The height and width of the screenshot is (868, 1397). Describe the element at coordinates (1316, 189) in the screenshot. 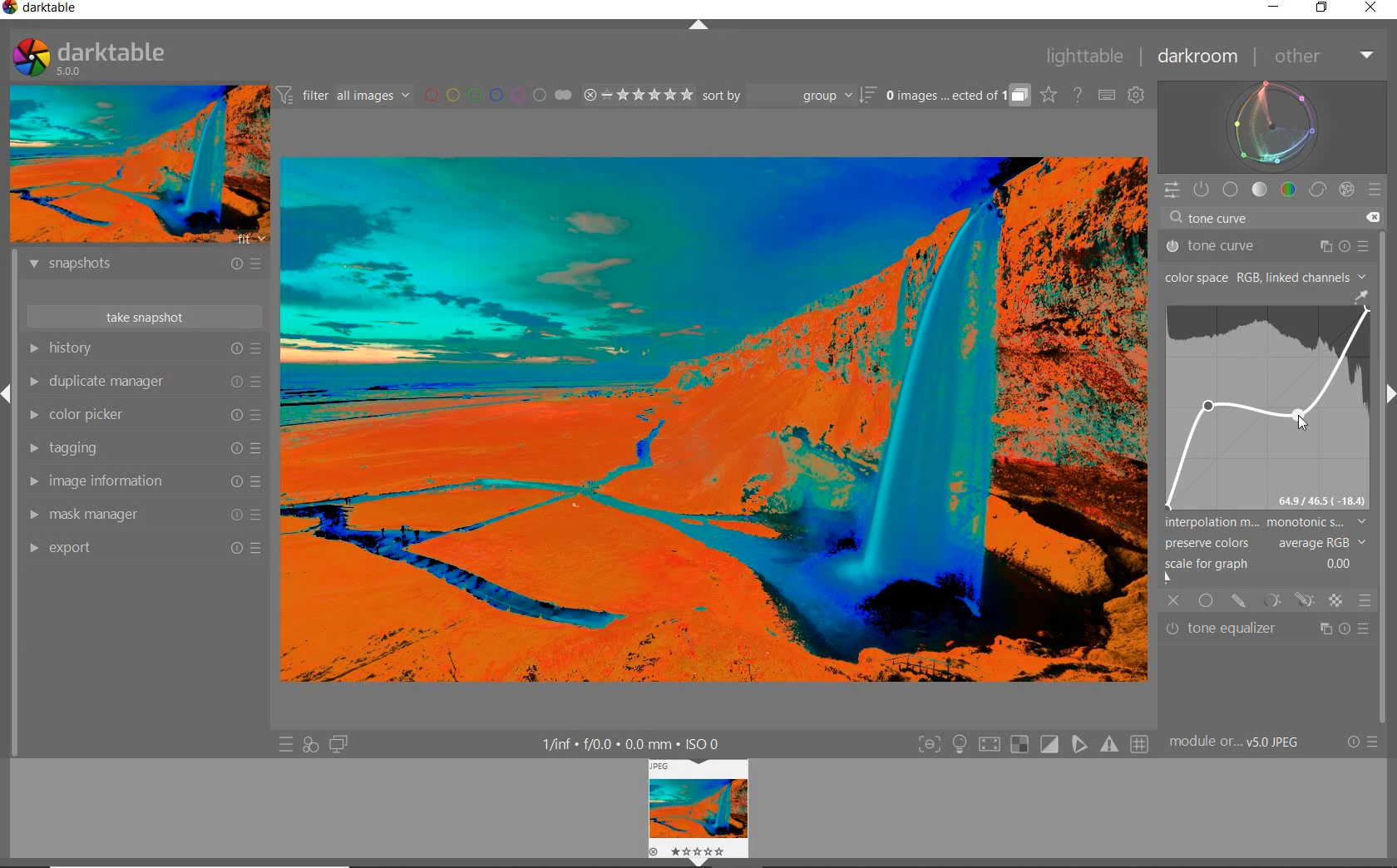

I see `correct` at that location.